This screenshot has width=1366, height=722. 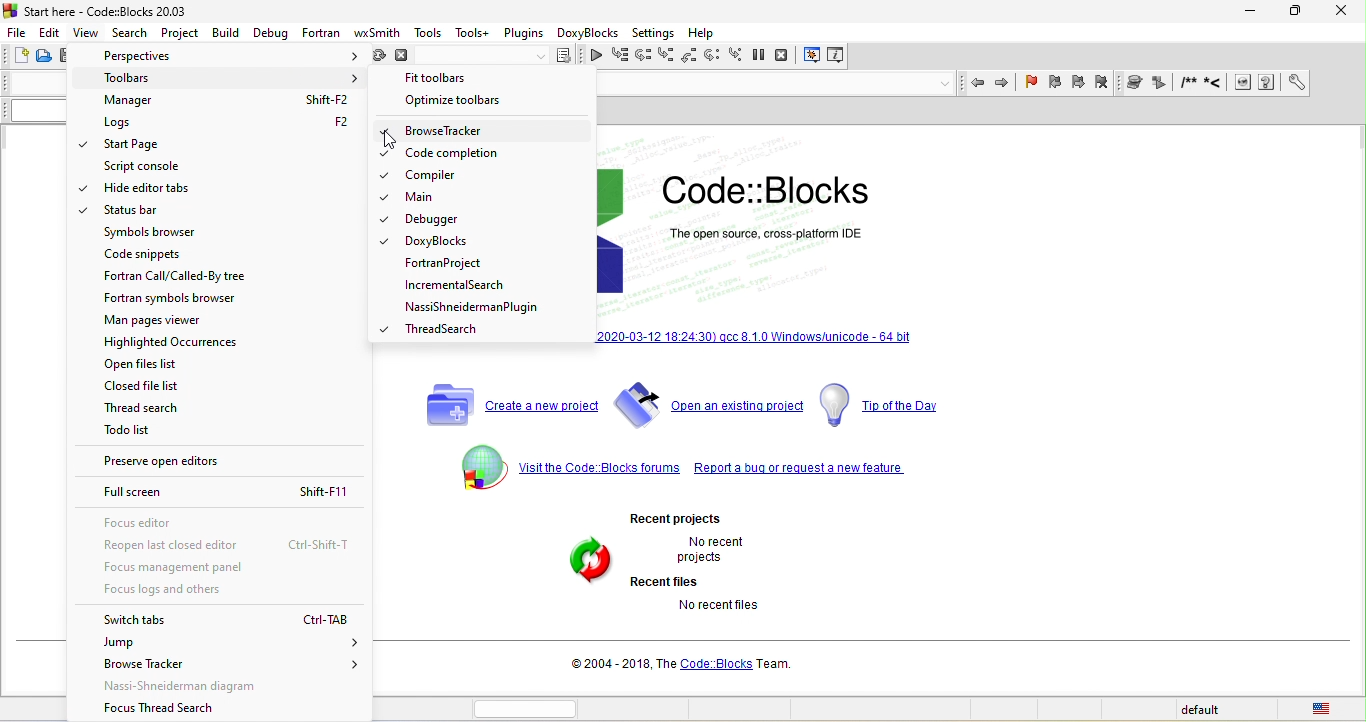 I want to click on block comment, so click(x=1189, y=85).